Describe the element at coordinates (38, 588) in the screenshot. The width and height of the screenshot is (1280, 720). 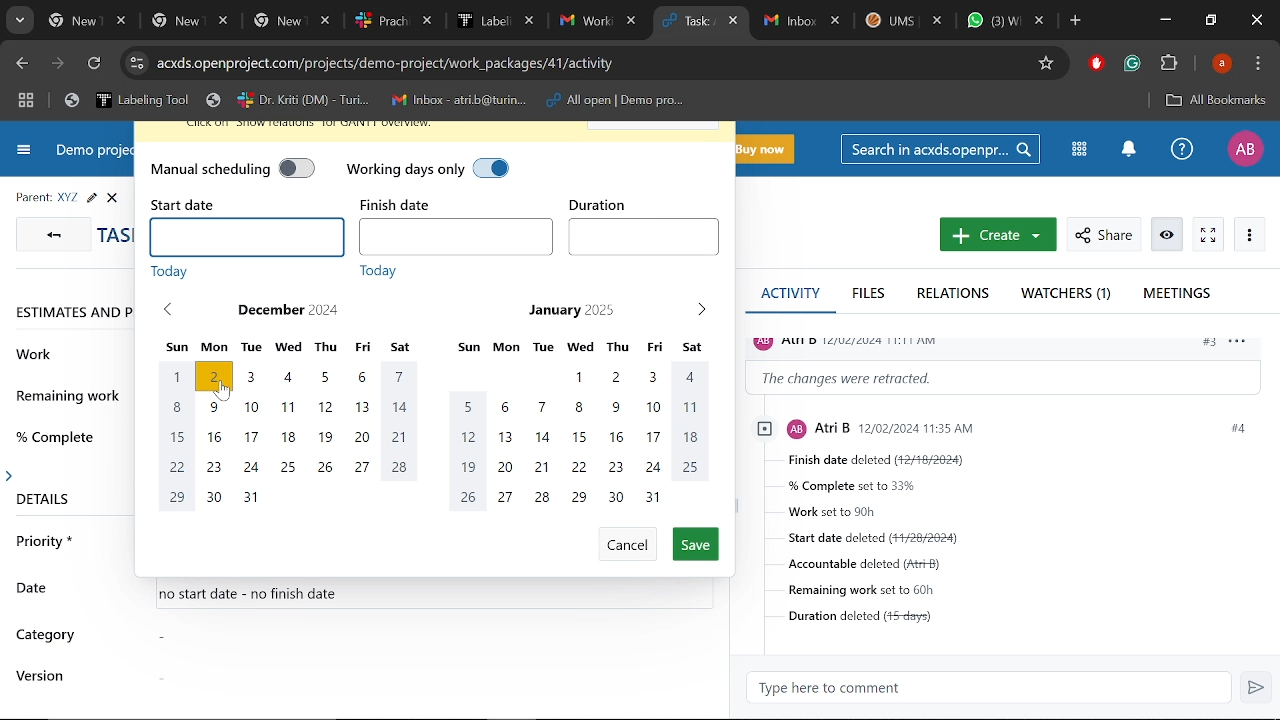
I see `date` at that location.